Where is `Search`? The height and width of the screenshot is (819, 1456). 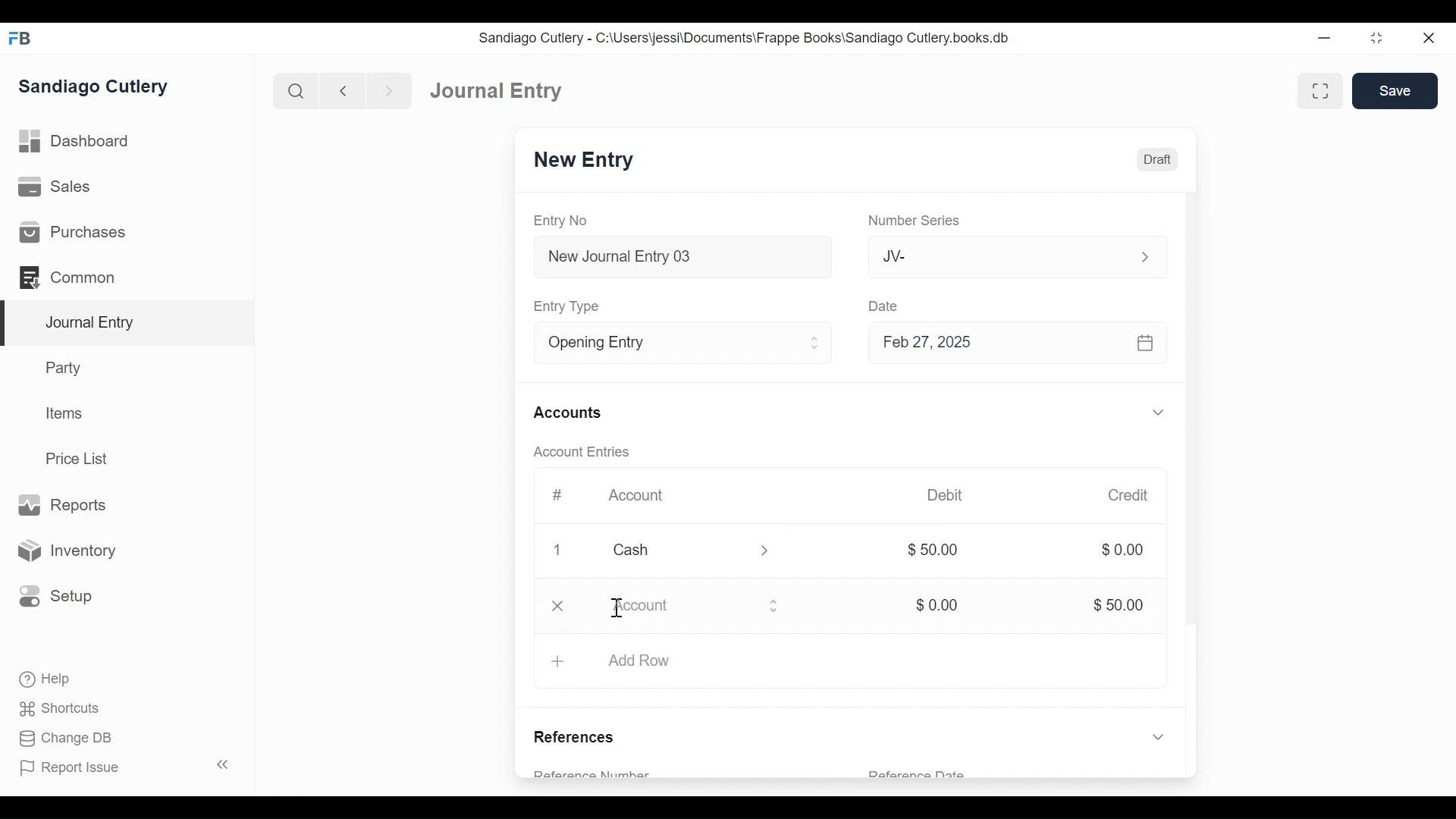
Search is located at coordinates (294, 90).